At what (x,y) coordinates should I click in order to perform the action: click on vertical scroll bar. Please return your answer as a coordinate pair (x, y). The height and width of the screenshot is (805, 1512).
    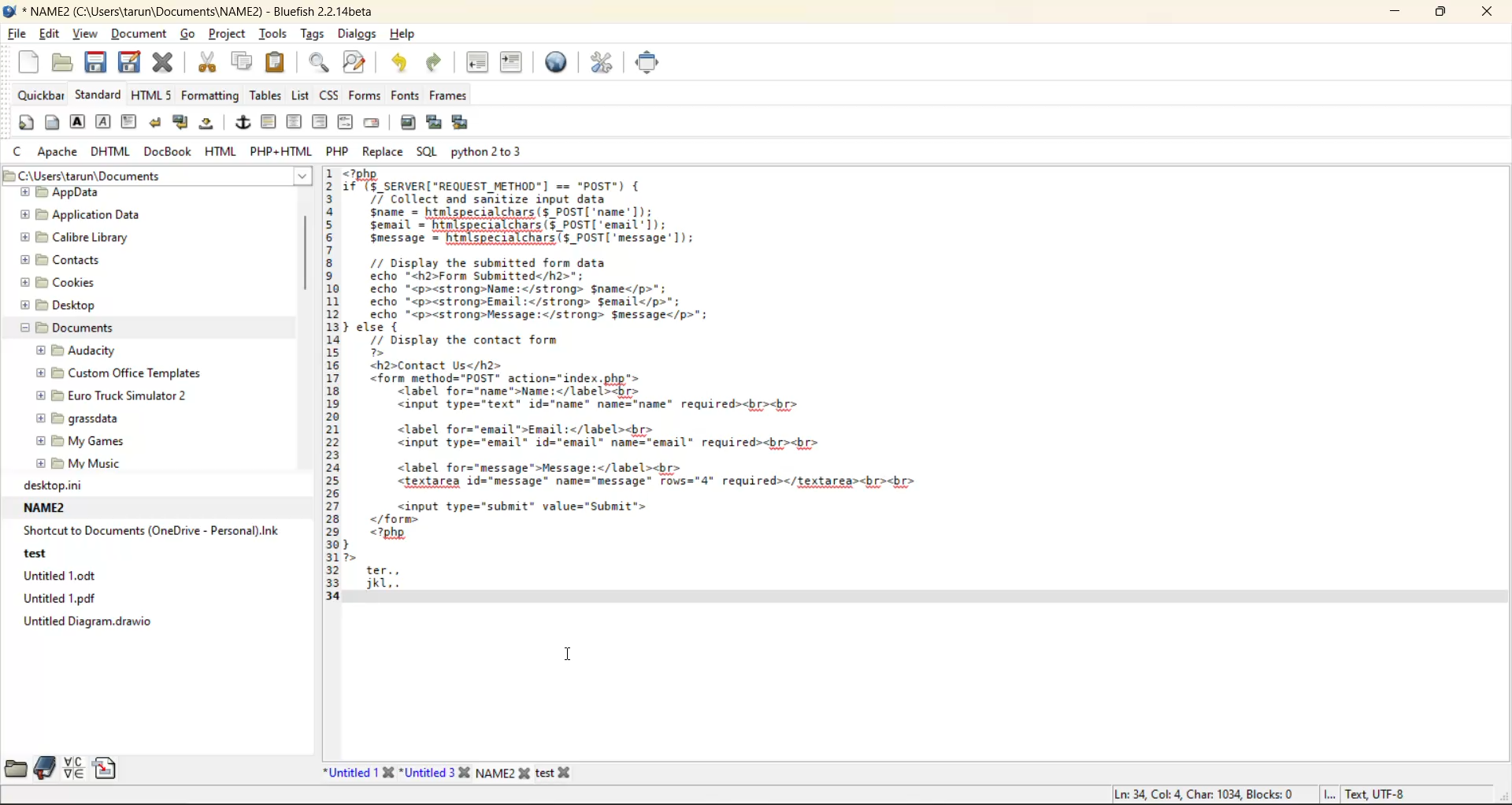
    Looking at the image, I should click on (305, 255).